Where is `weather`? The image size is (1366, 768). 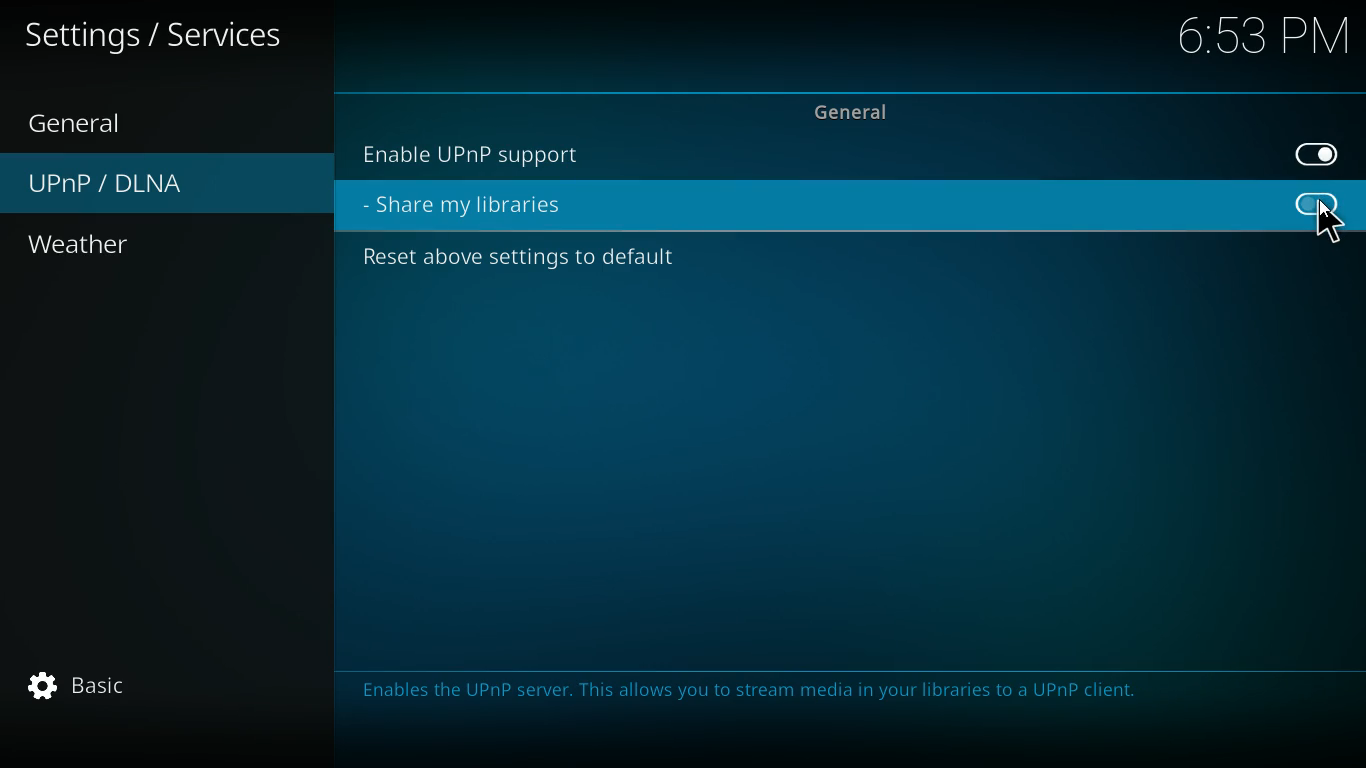 weather is located at coordinates (109, 246).